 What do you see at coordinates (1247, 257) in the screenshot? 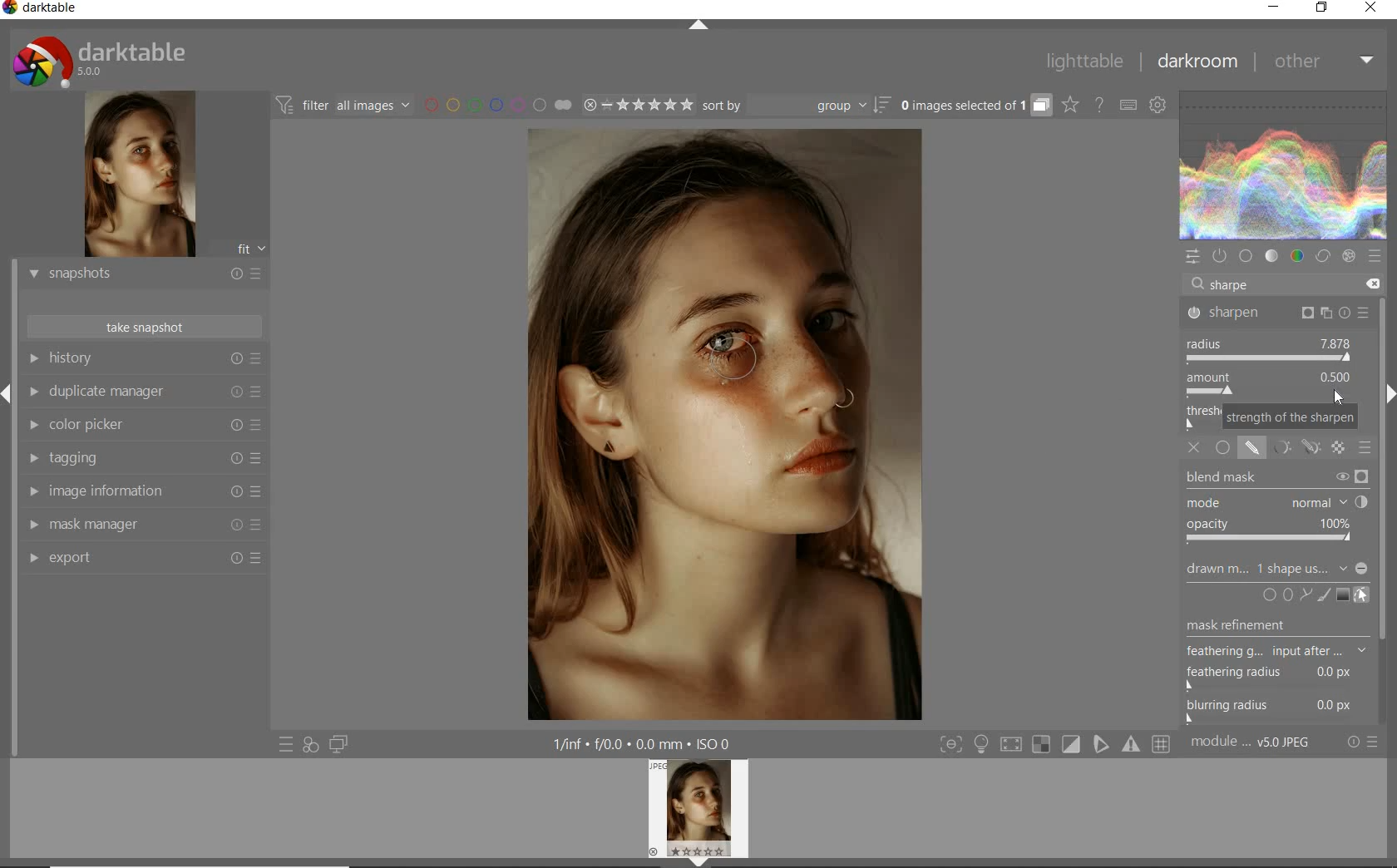
I see `base` at bounding box center [1247, 257].